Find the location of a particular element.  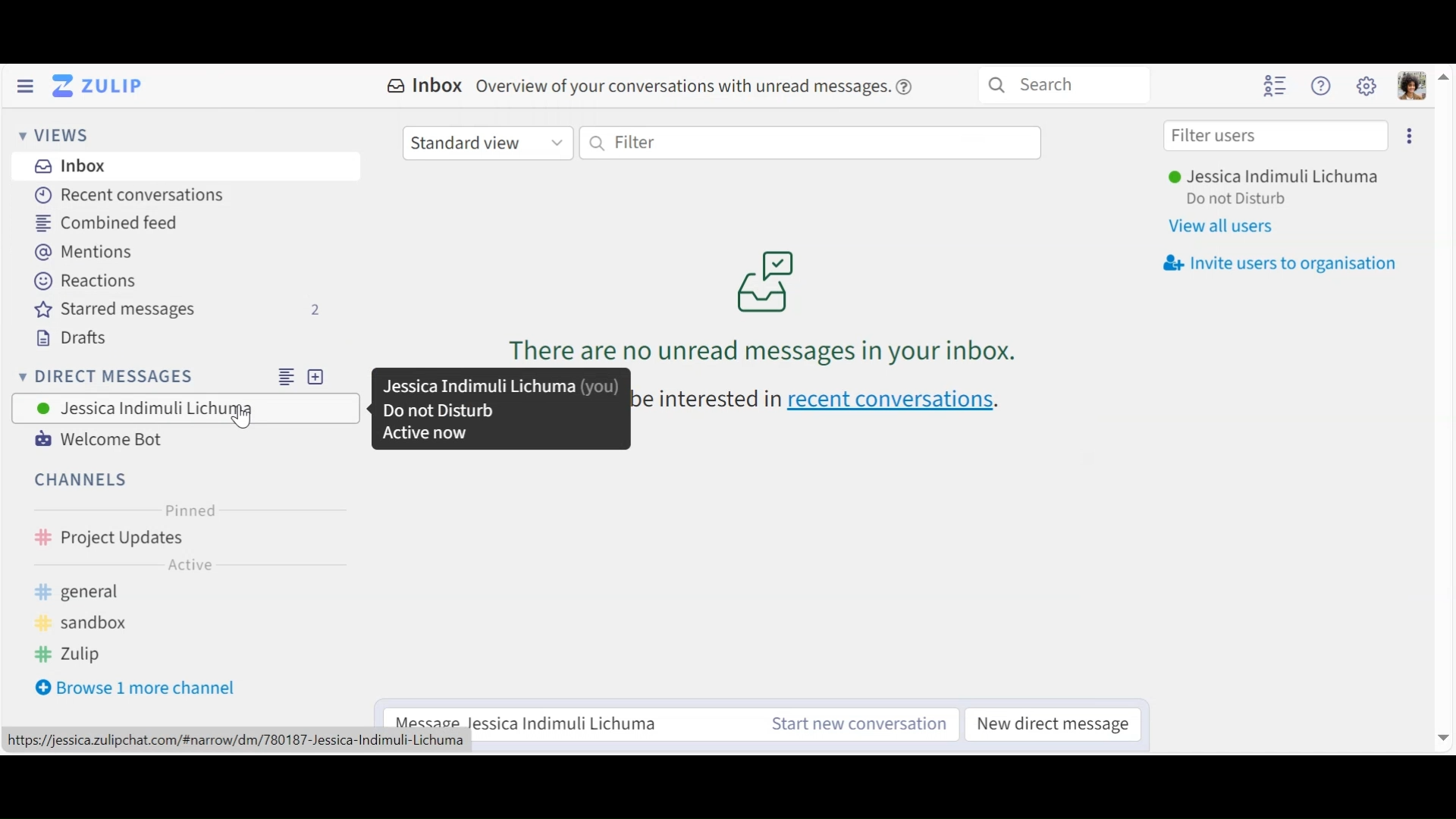

Starred messages is located at coordinates (178, 312).